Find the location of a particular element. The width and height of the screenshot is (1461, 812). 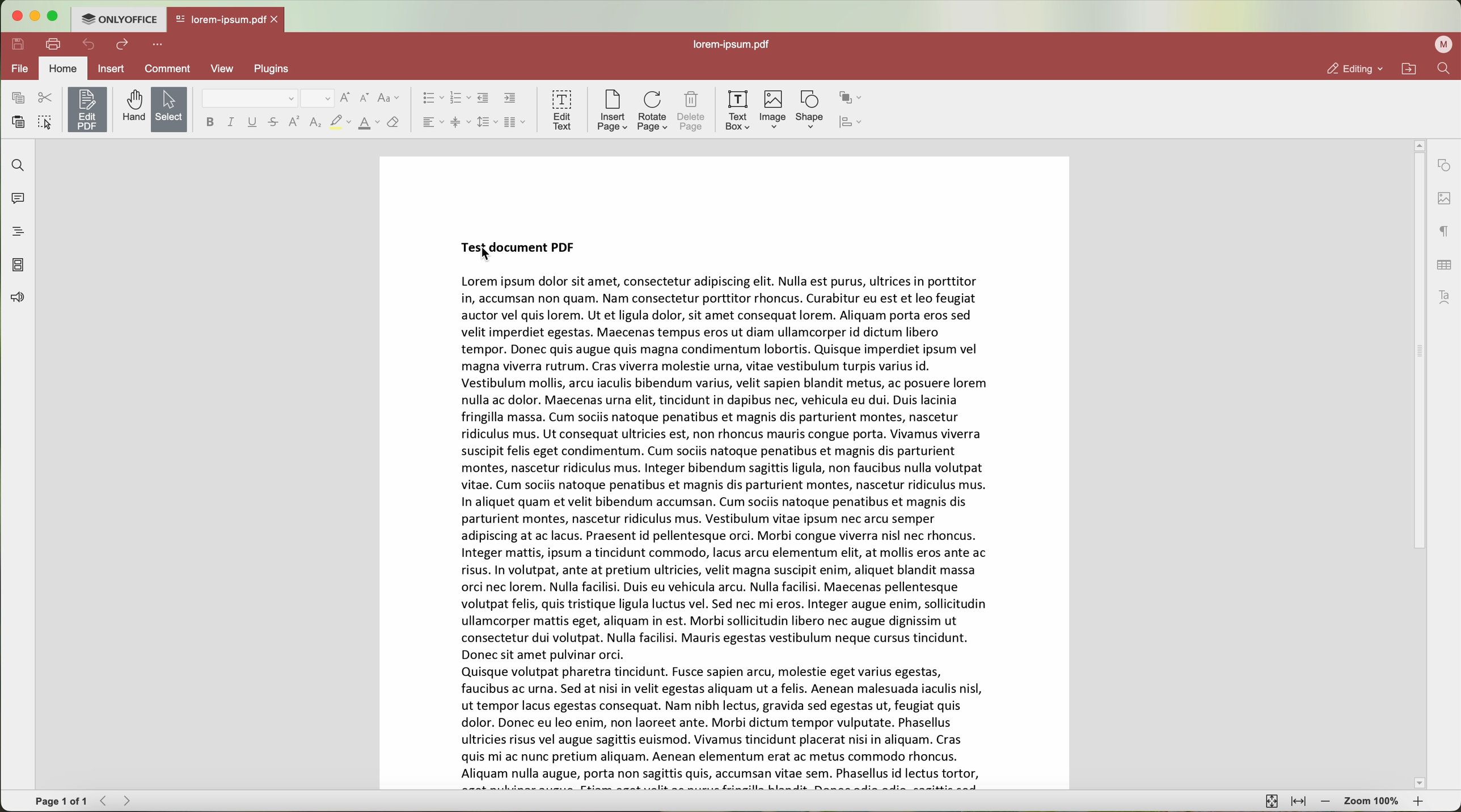

table settings is located at coordinates (1445, 267).